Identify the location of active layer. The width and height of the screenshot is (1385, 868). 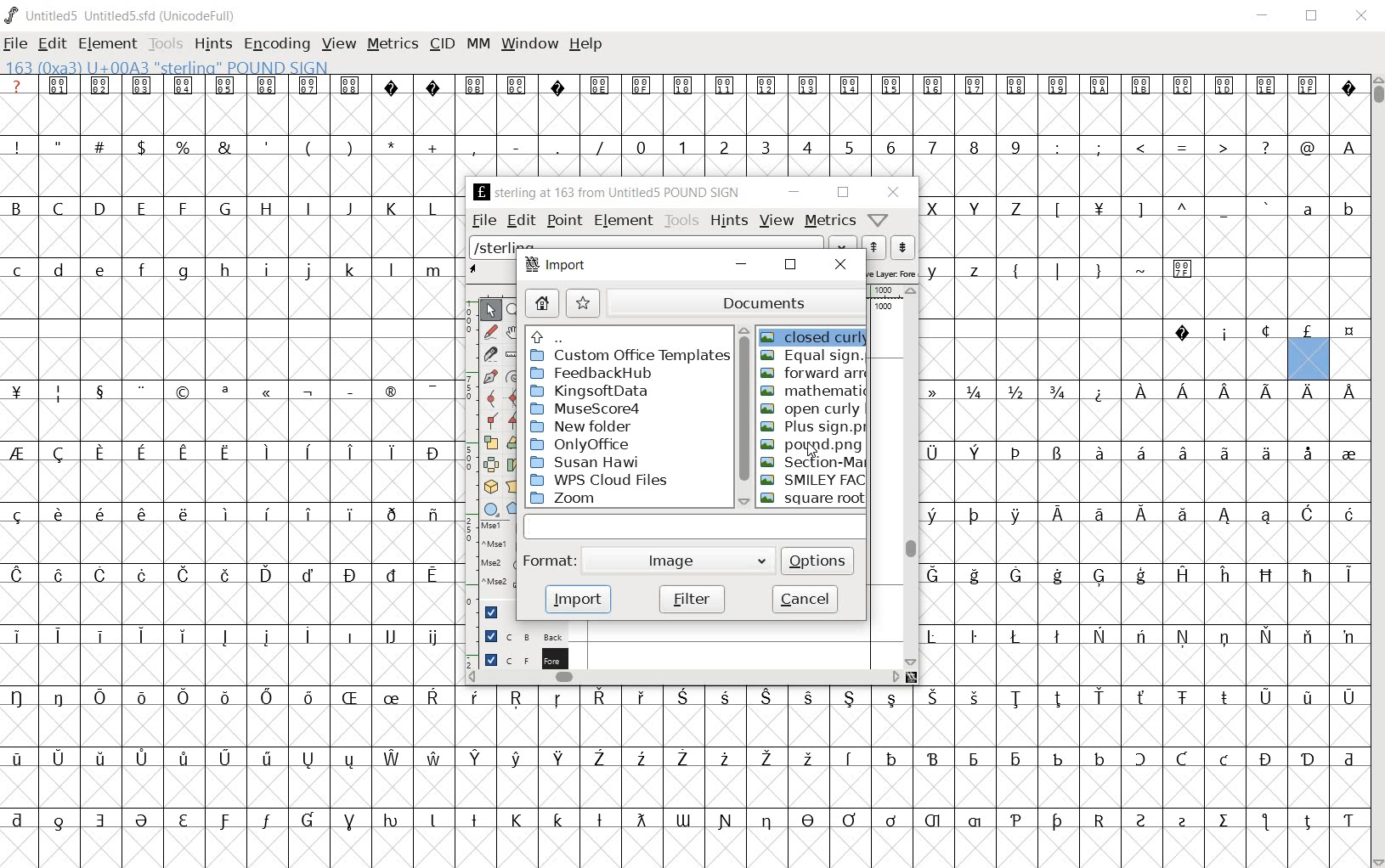
(490, 270).